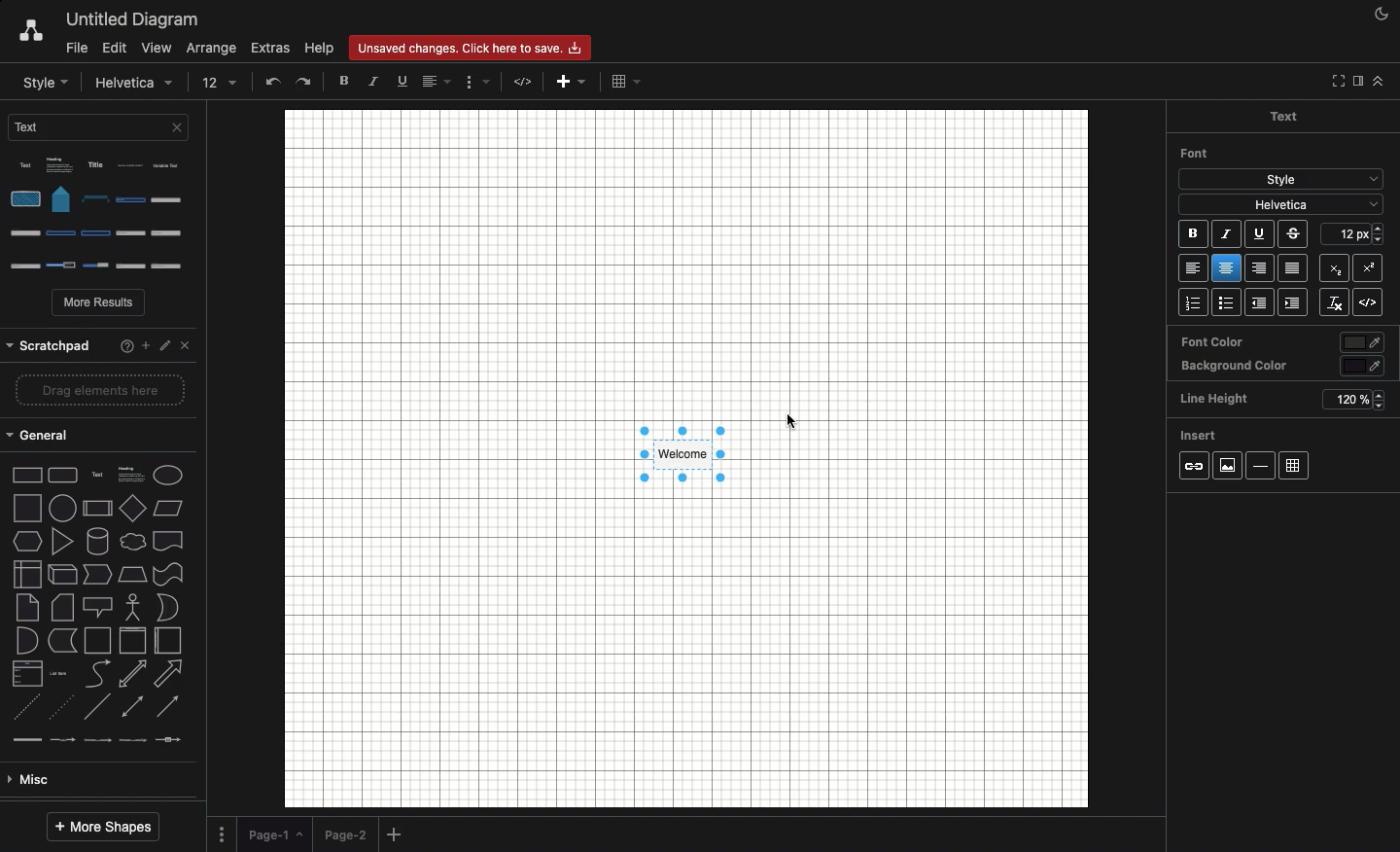 This screenshot has width=1400, height=852. What do you see at coordinates (104, 578) in the screenshot?
I see `line types` at bounding box center [104, 578].